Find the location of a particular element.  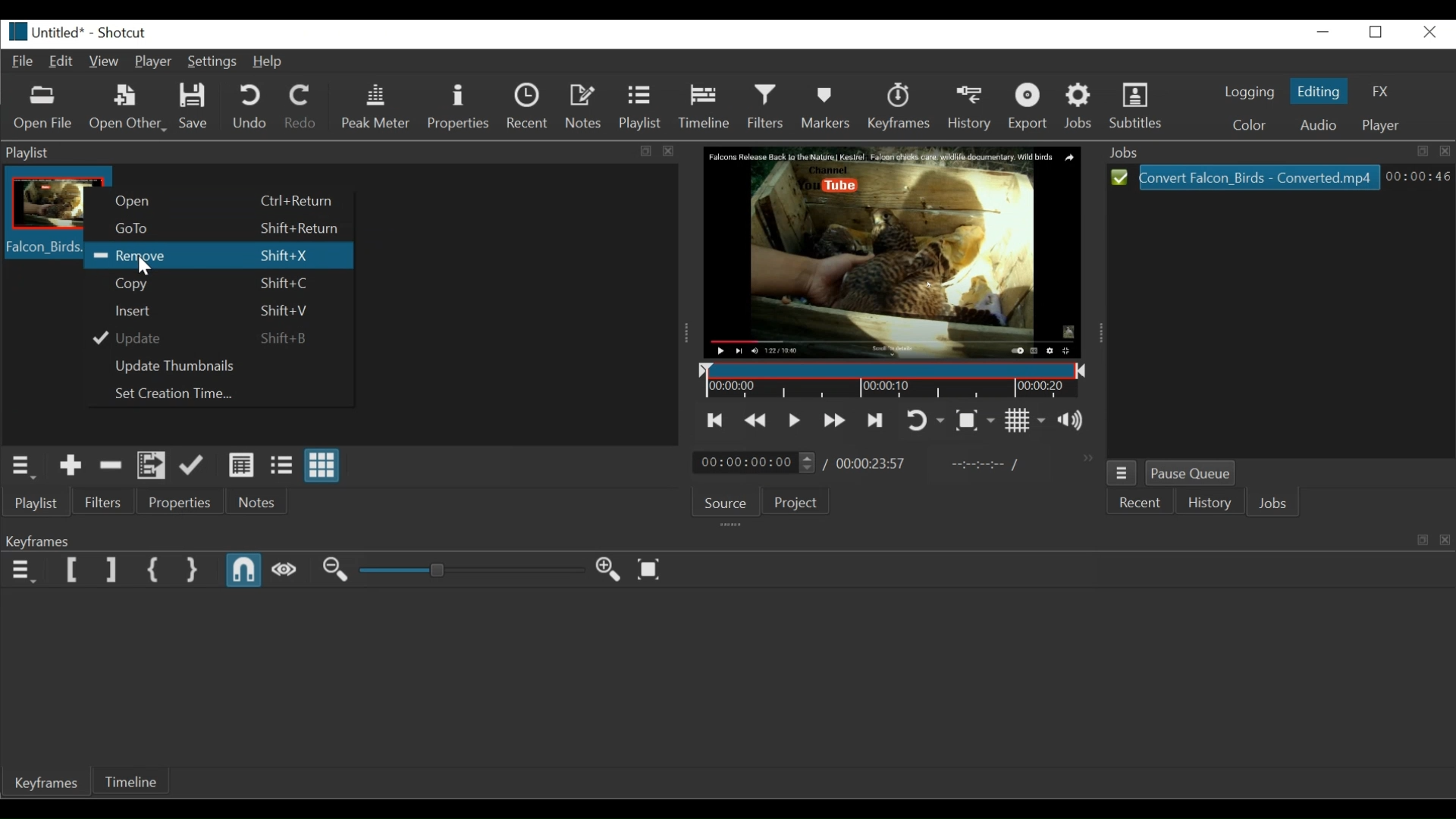

Color is located at coordinates (1244, 126).